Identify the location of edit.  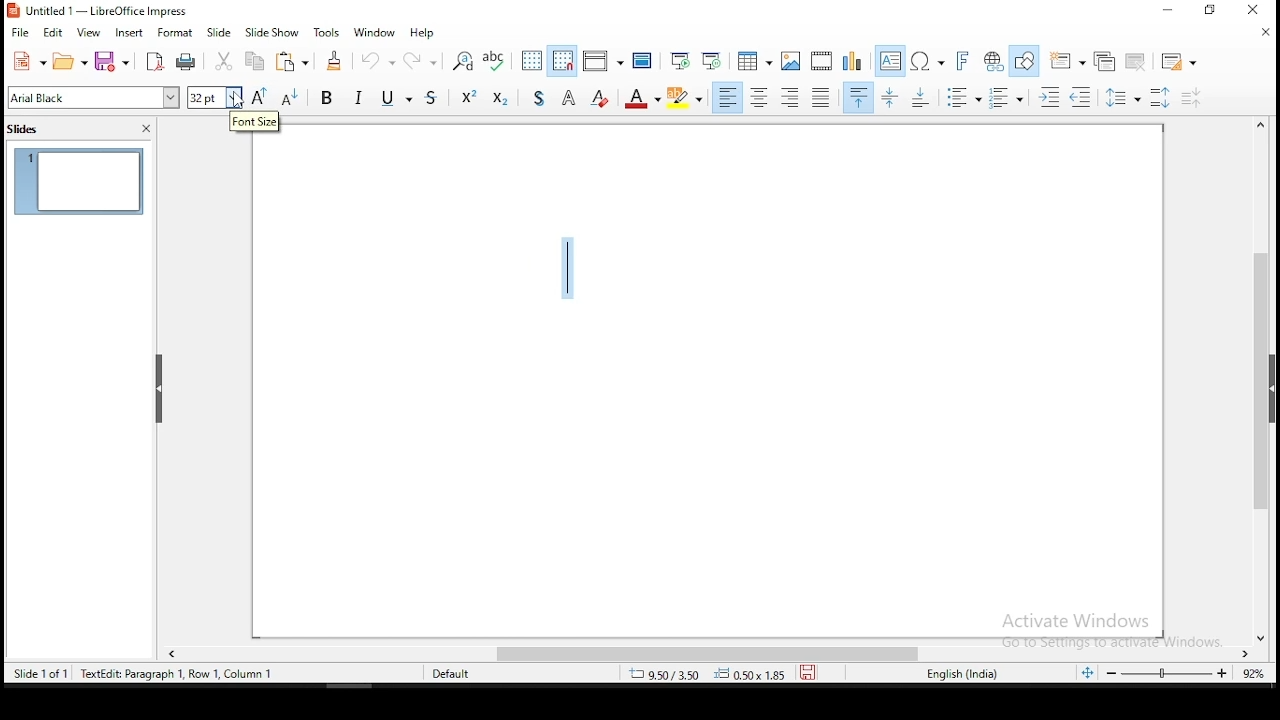
(51, 33).